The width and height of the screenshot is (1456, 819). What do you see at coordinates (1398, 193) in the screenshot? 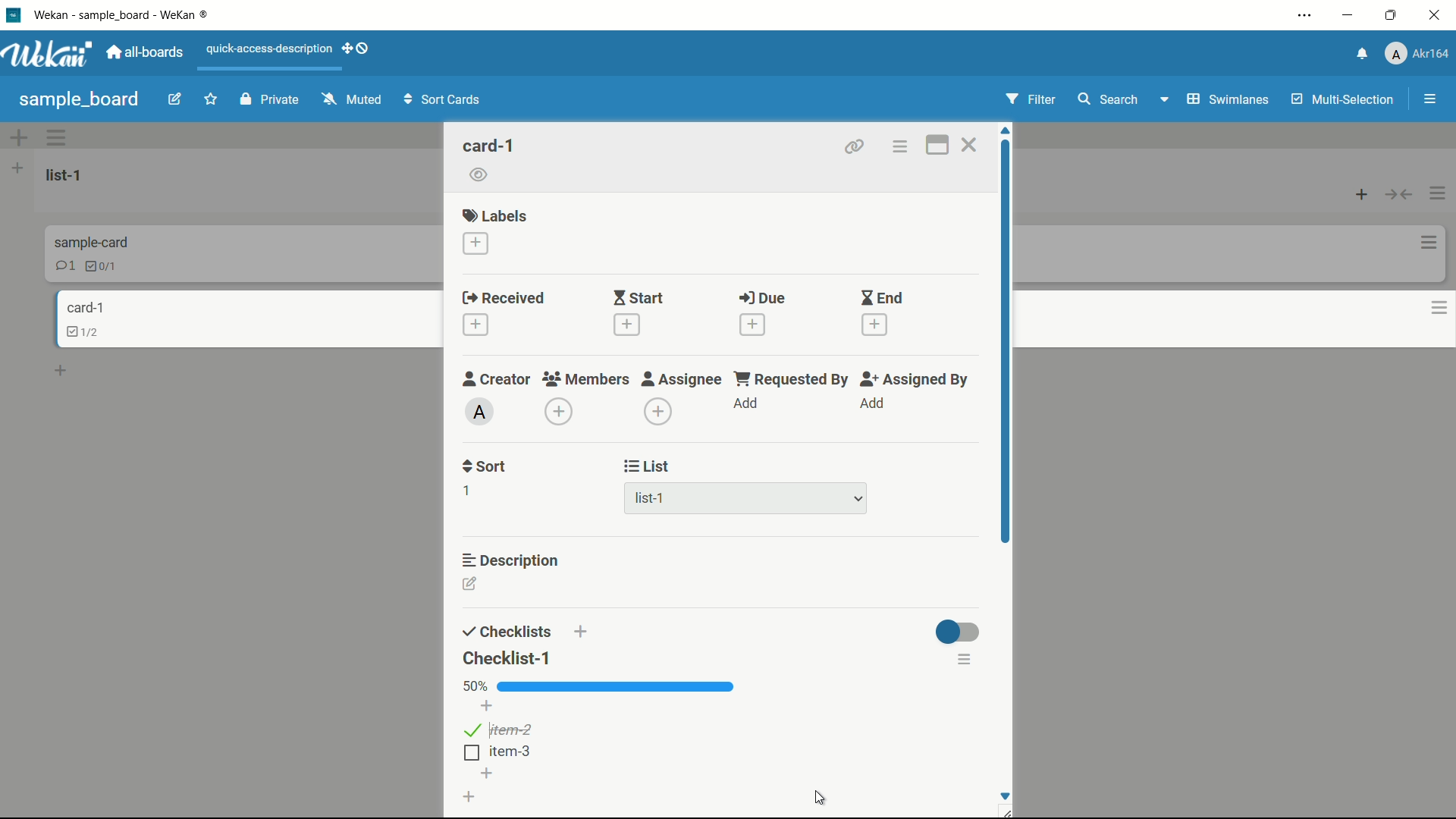
I see `collapse` at bounding box center [1398, 193].